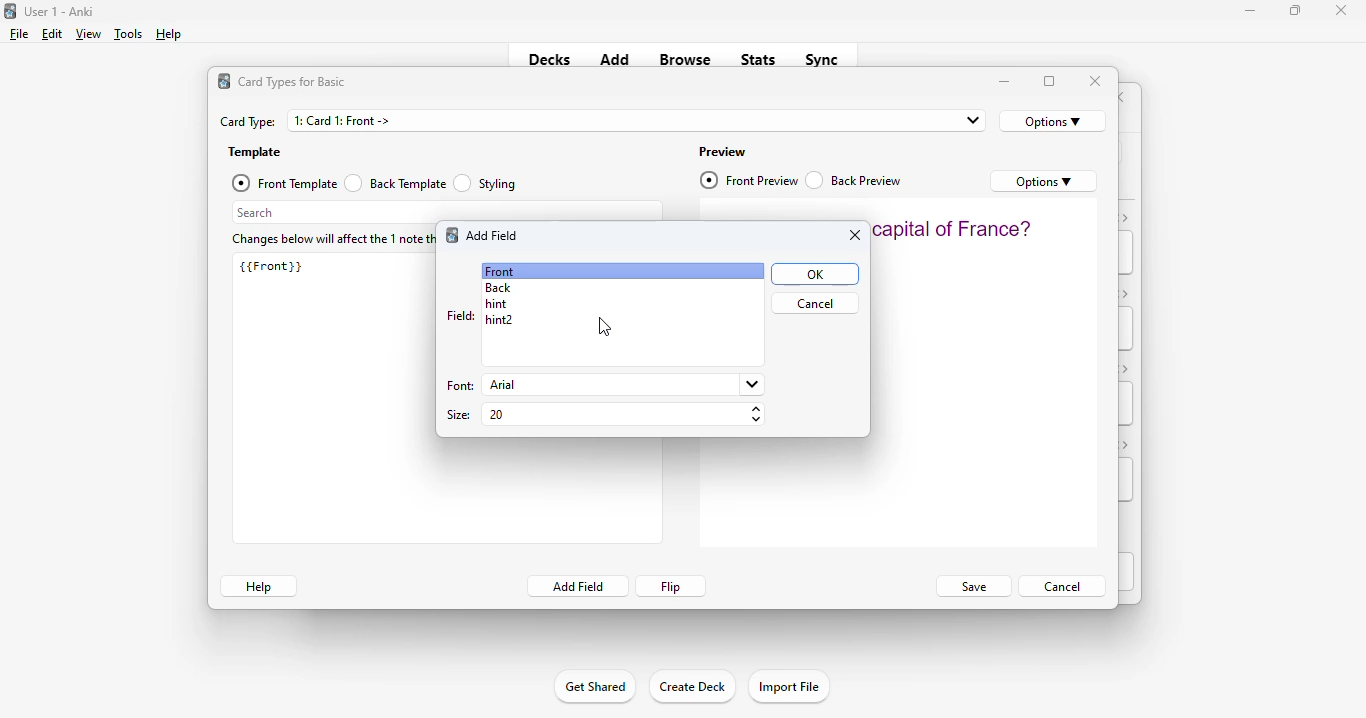 This screenshot has height=718, width=1366. What do you see at coordinates (637, 120) in the screenshot?
I see `1: Card 1: Front ->` at bounding box center [637, 120].